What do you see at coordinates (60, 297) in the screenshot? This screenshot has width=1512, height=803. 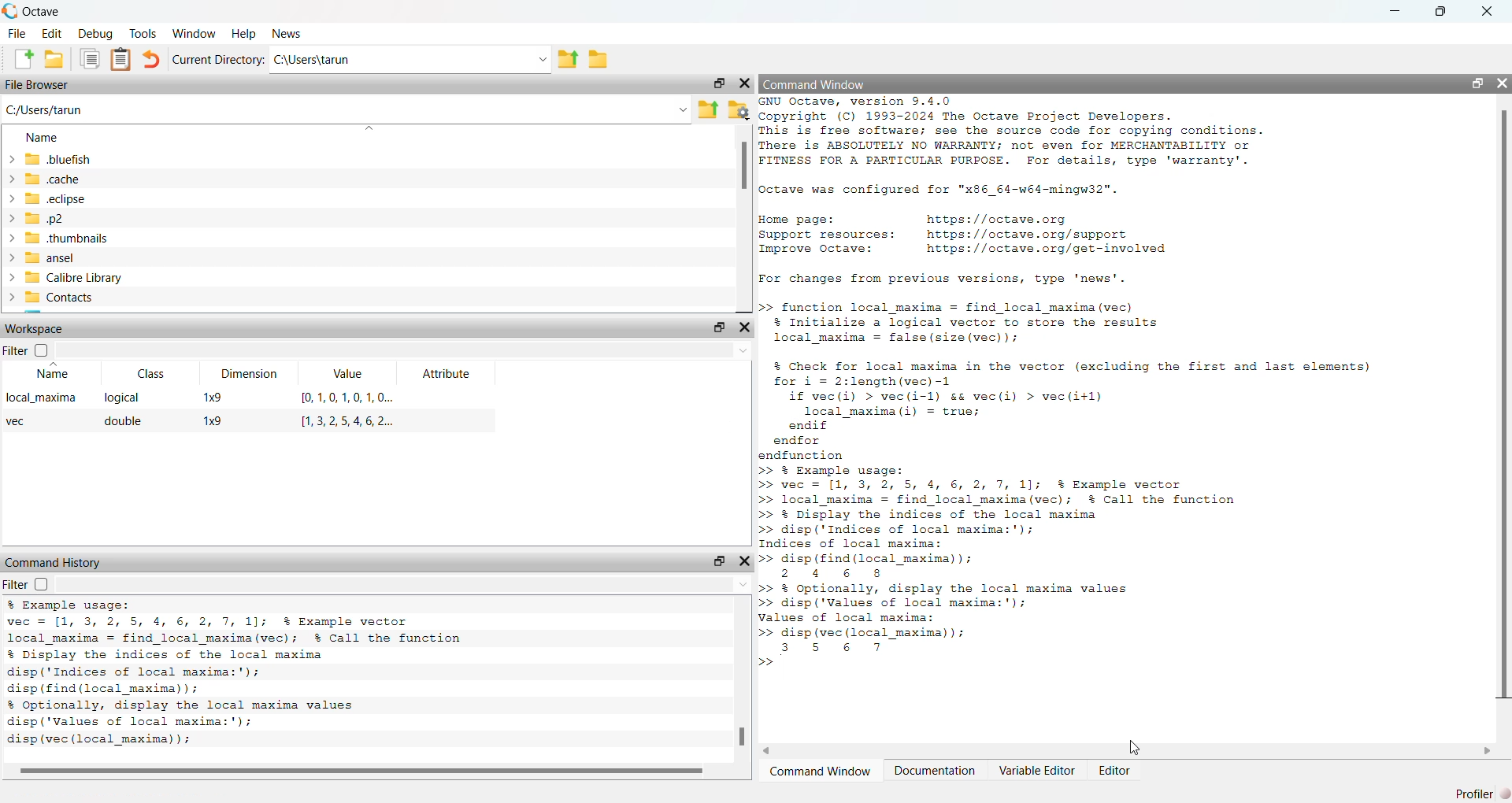 I see `Contacts` at bounding box center [60, 297].